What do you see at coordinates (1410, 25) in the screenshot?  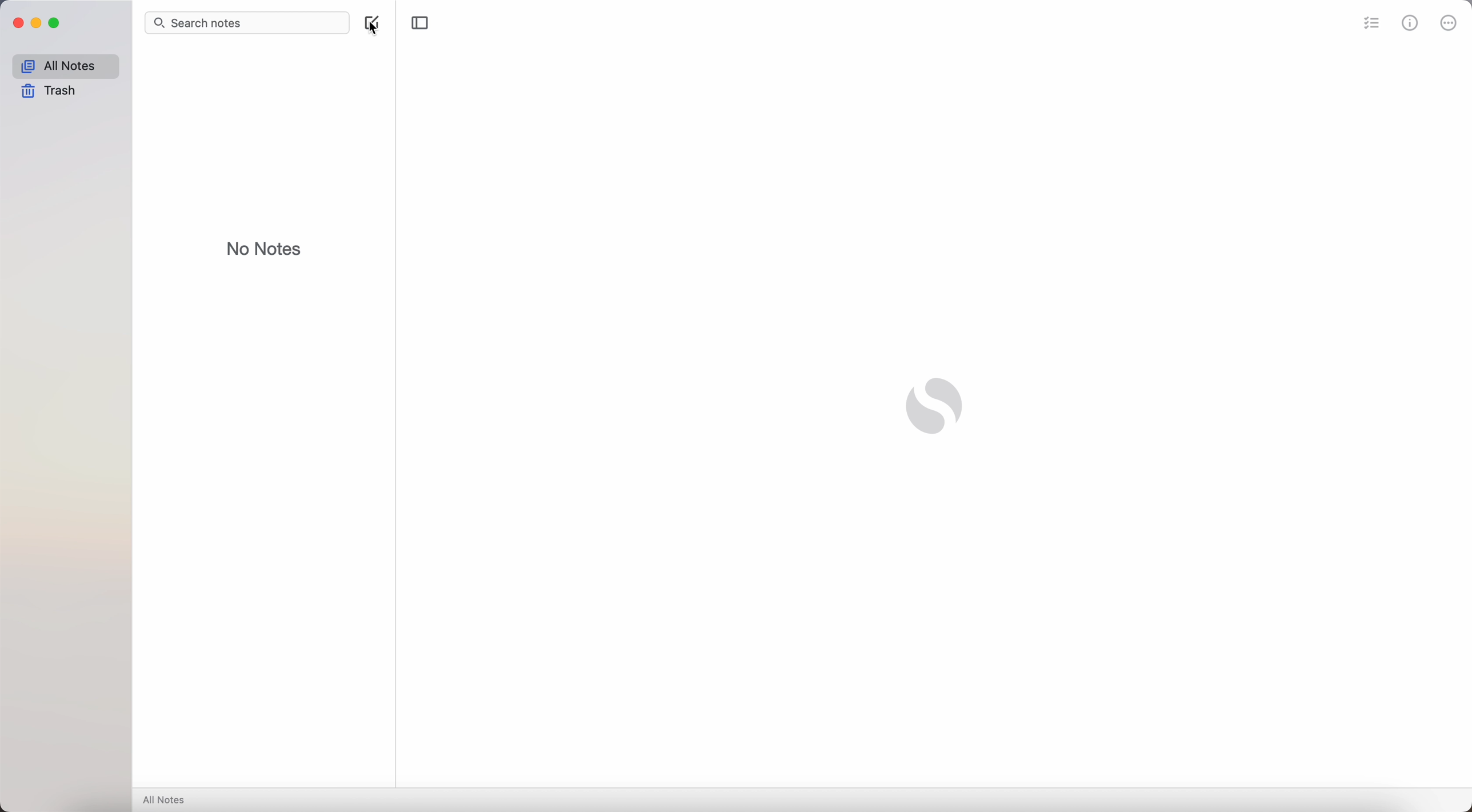 I see `metrics` at bounding box center [1410, 25].